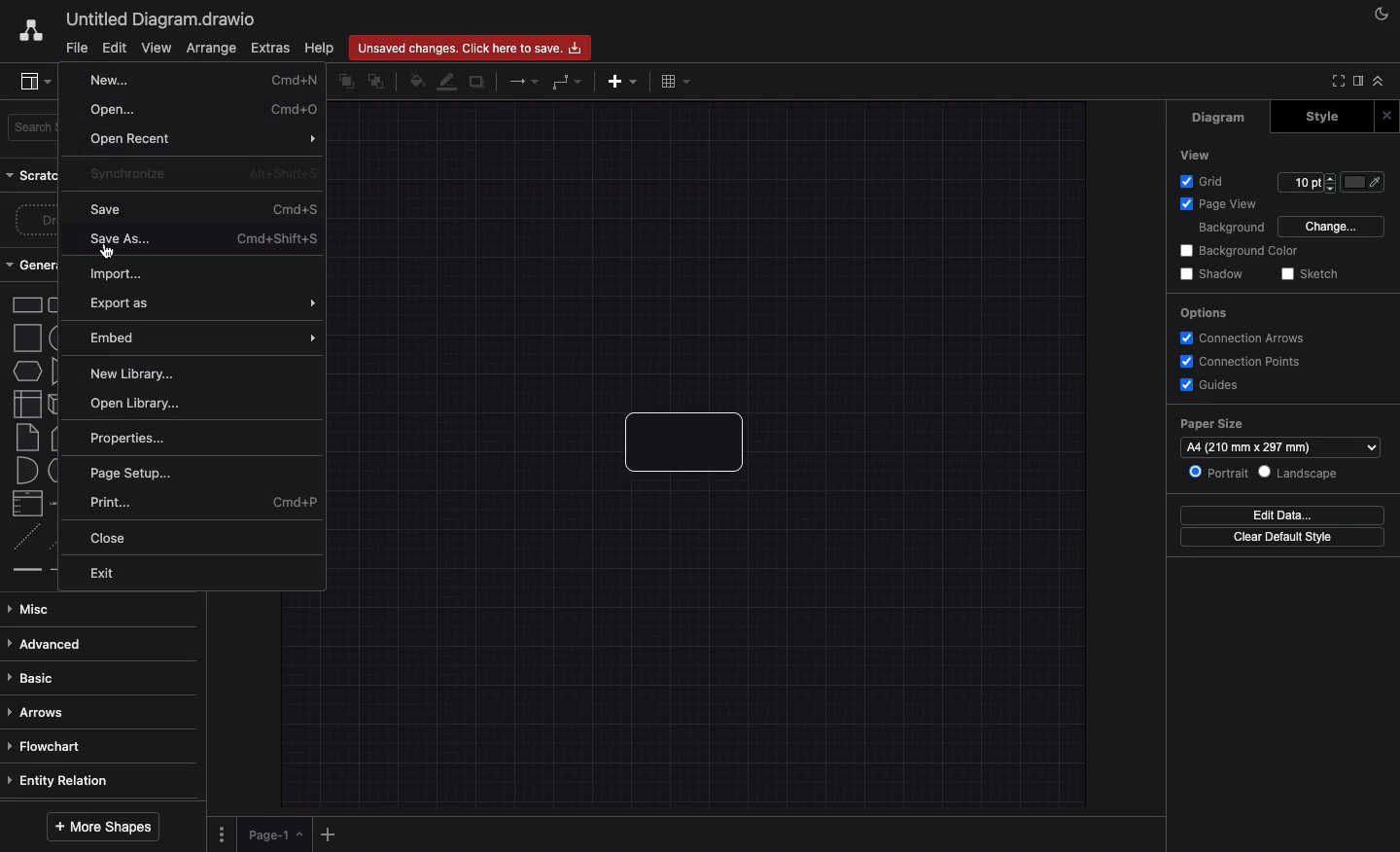  What do you see at coordinates (44, 747) in the screenshot?
I see `Flowchart` at bounding box center [44, 747].